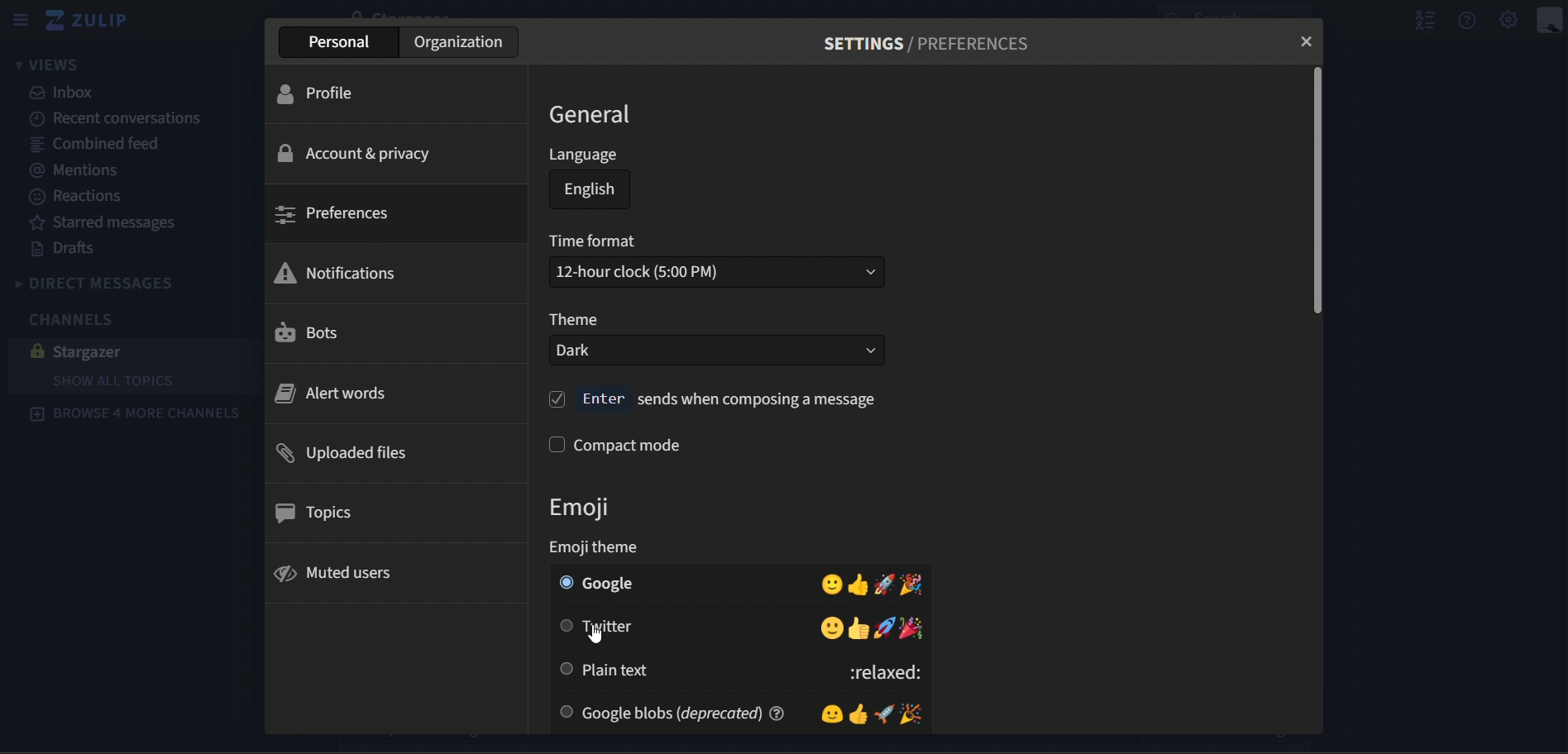 This screenshot has height=754, width=1568. I want to click on notifications, so click(338, 271).